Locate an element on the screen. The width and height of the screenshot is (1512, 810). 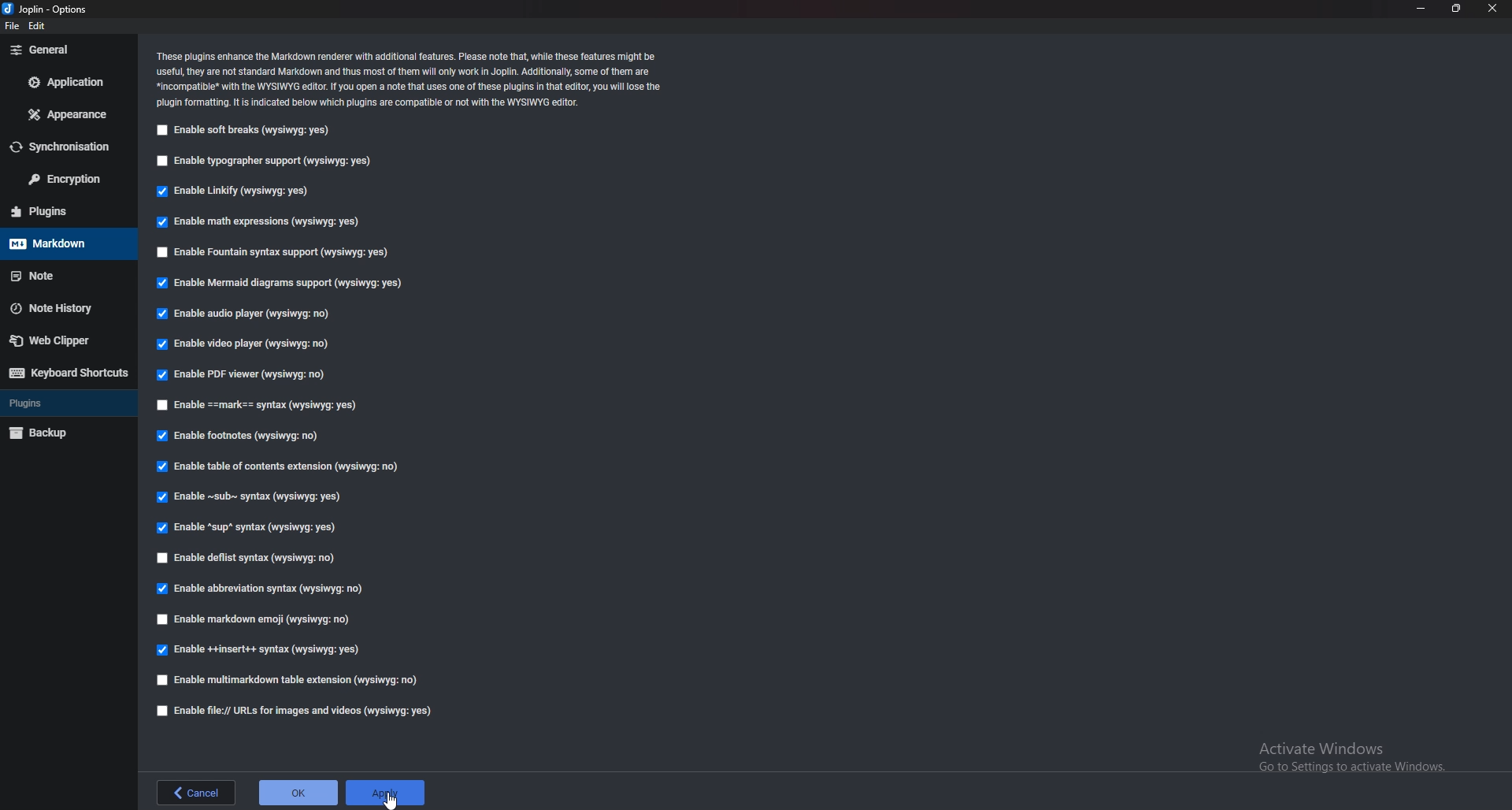
Enable soft breaks is located at coordinates (245, 129).